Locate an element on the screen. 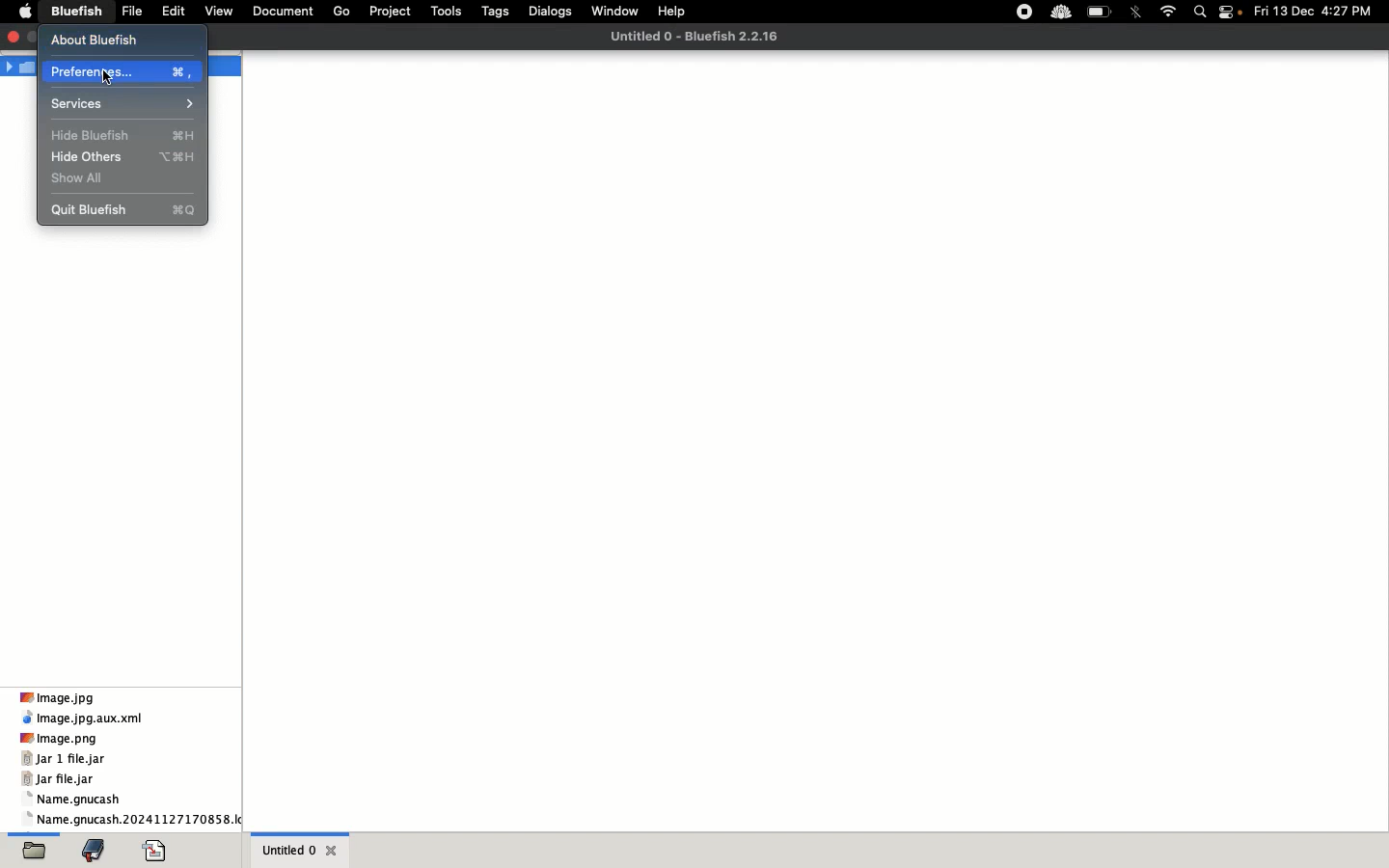 The width and height of the screenshot is (1389, 868). PDF reader is located at coordinates (157, 849).